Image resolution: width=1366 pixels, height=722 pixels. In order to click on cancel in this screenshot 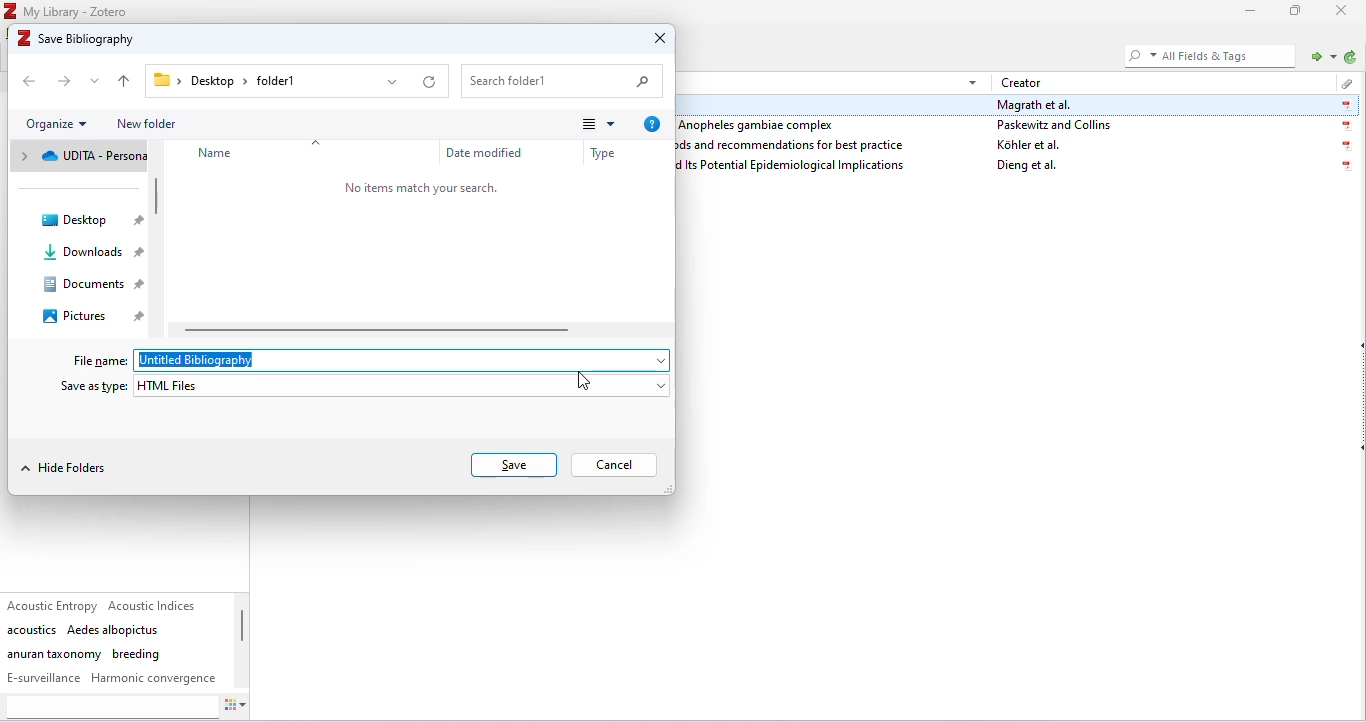, I will do `click(616, 465)`.